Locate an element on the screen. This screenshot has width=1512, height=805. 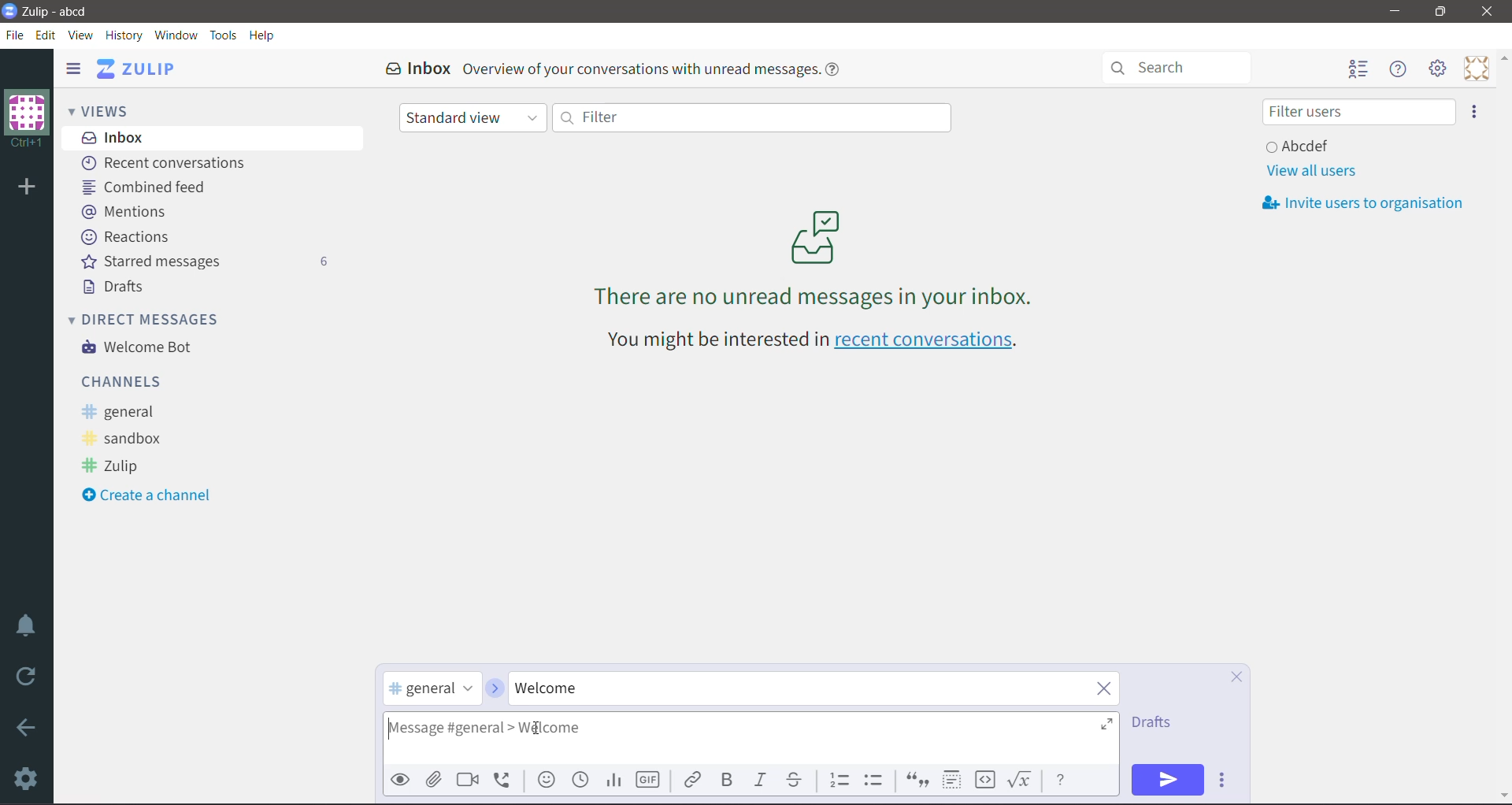
Invite usersto organization is located at coordinates (1369, 203).